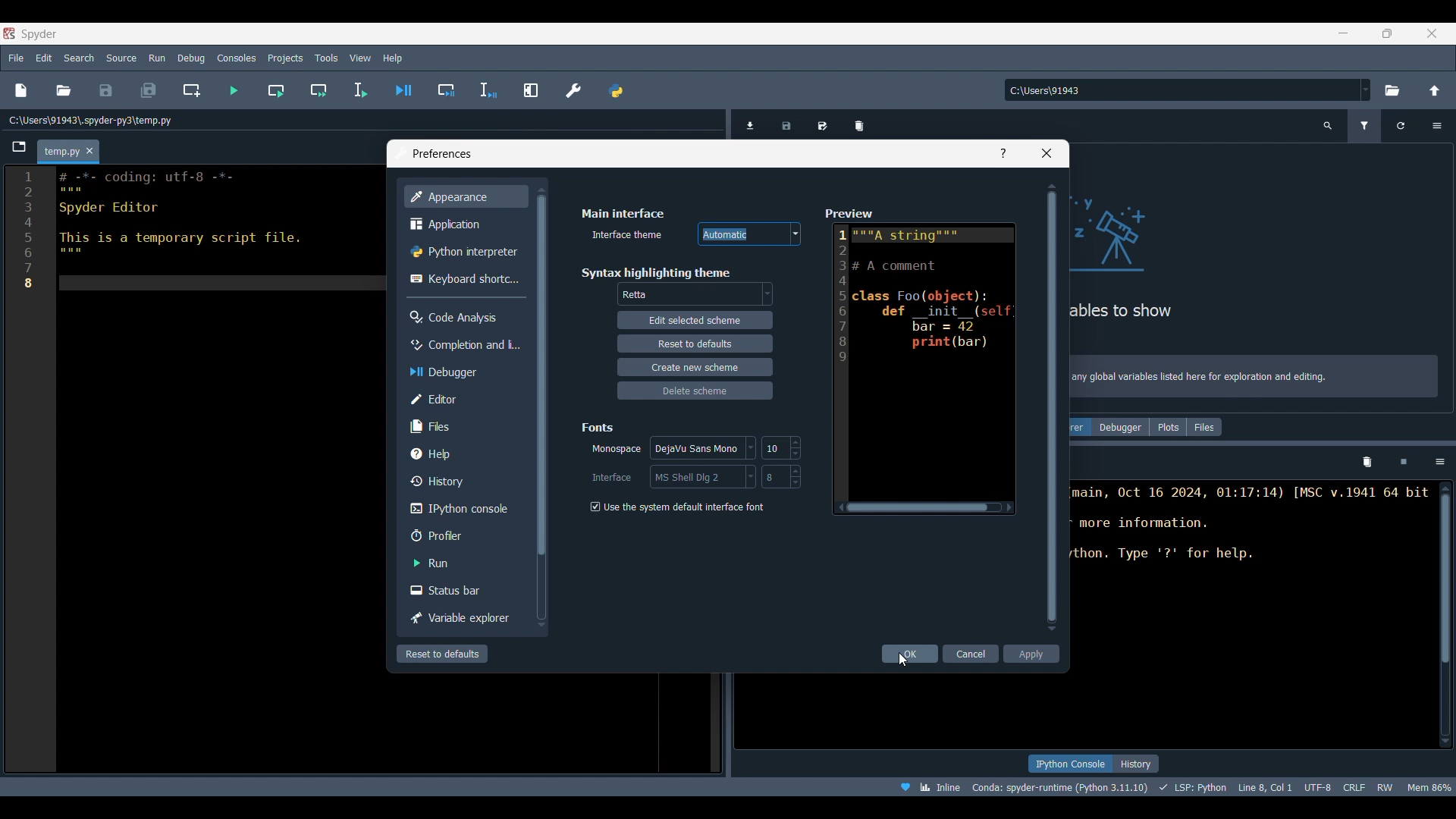  Describe the element at coordinates (463, 344) in the screenshot. I see `Completion and linting` at that location.